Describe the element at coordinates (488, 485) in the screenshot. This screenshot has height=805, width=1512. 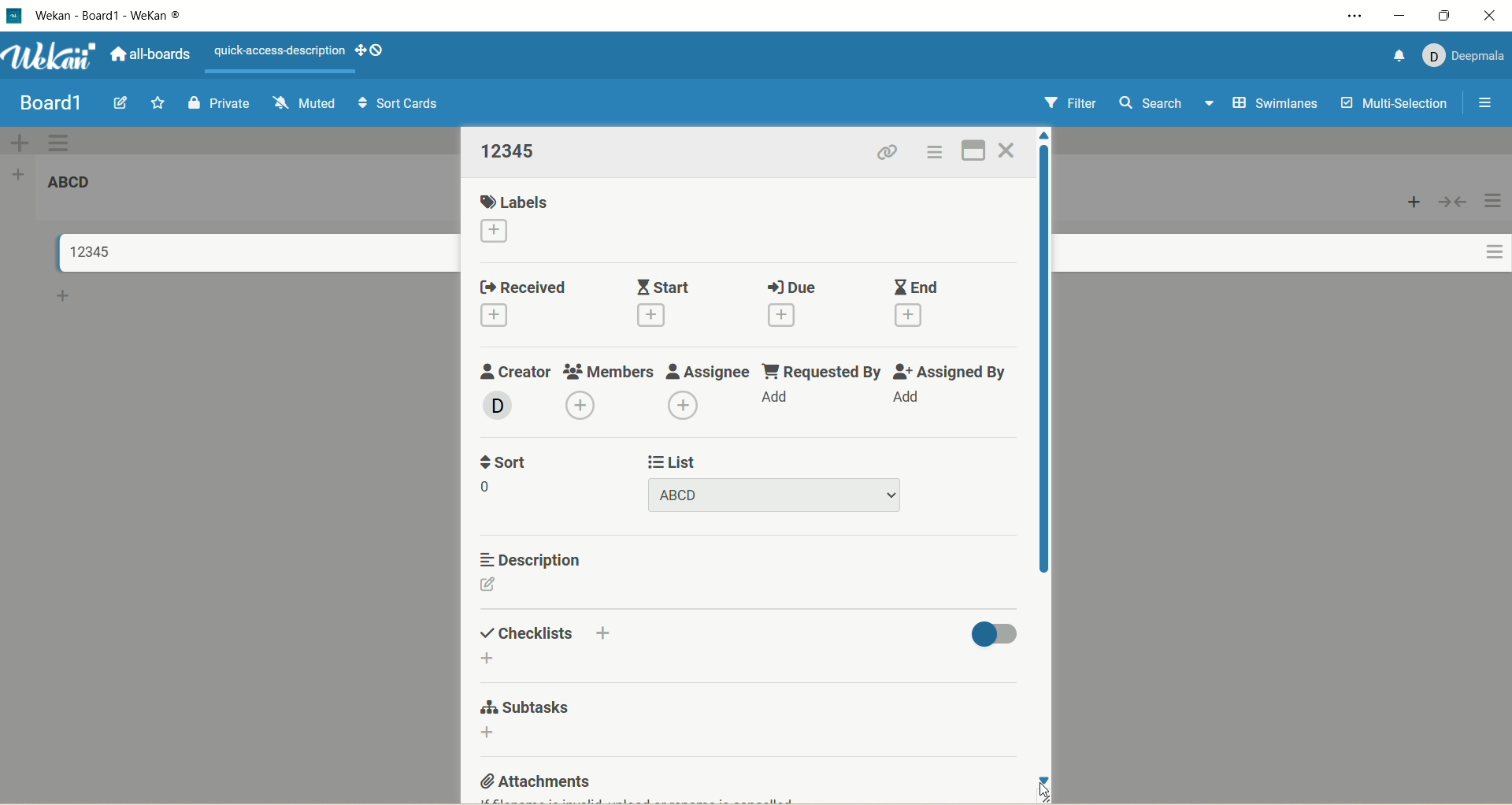
I see `number` at that location.